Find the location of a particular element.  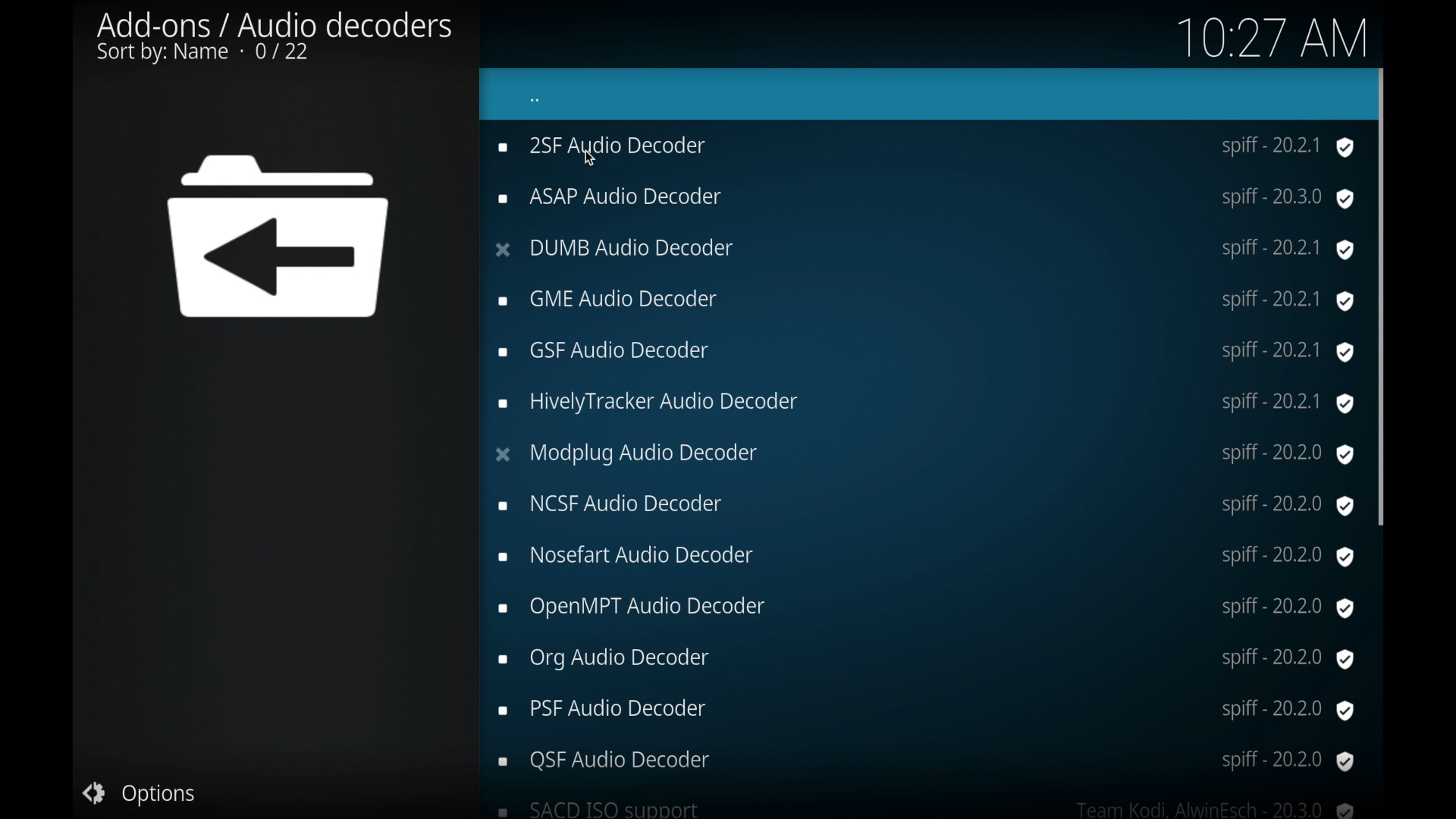

nosefart  Audio decoder is located at coordinates (927, 556).